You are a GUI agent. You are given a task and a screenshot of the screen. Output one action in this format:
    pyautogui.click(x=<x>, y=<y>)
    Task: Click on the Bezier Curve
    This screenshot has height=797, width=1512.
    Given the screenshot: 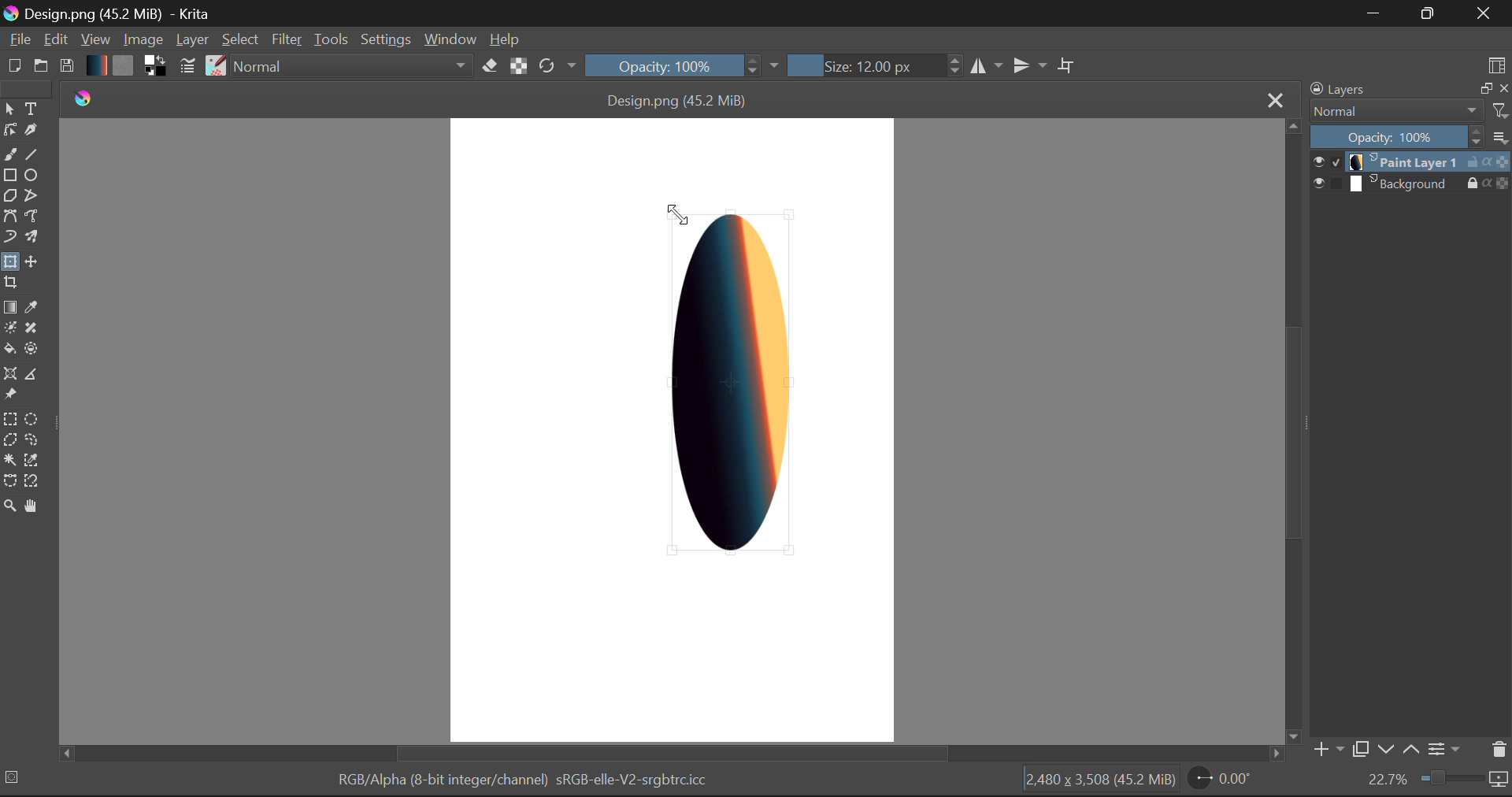 What is the action you would take?
    pyautogui.click(x=9, y=218)
    